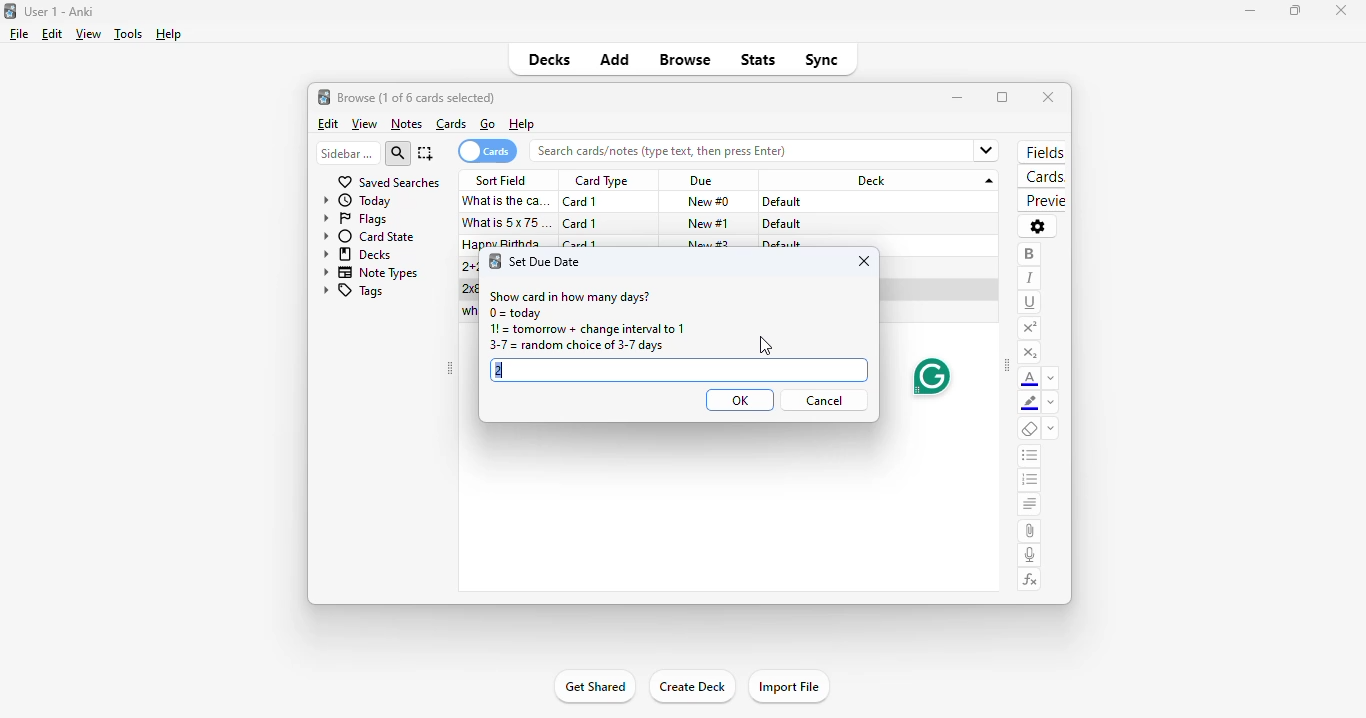  What do you see at coordinates (1030, 404) in the screenshot?
I see `text highlighting color` at bounding box center [1030, 404].